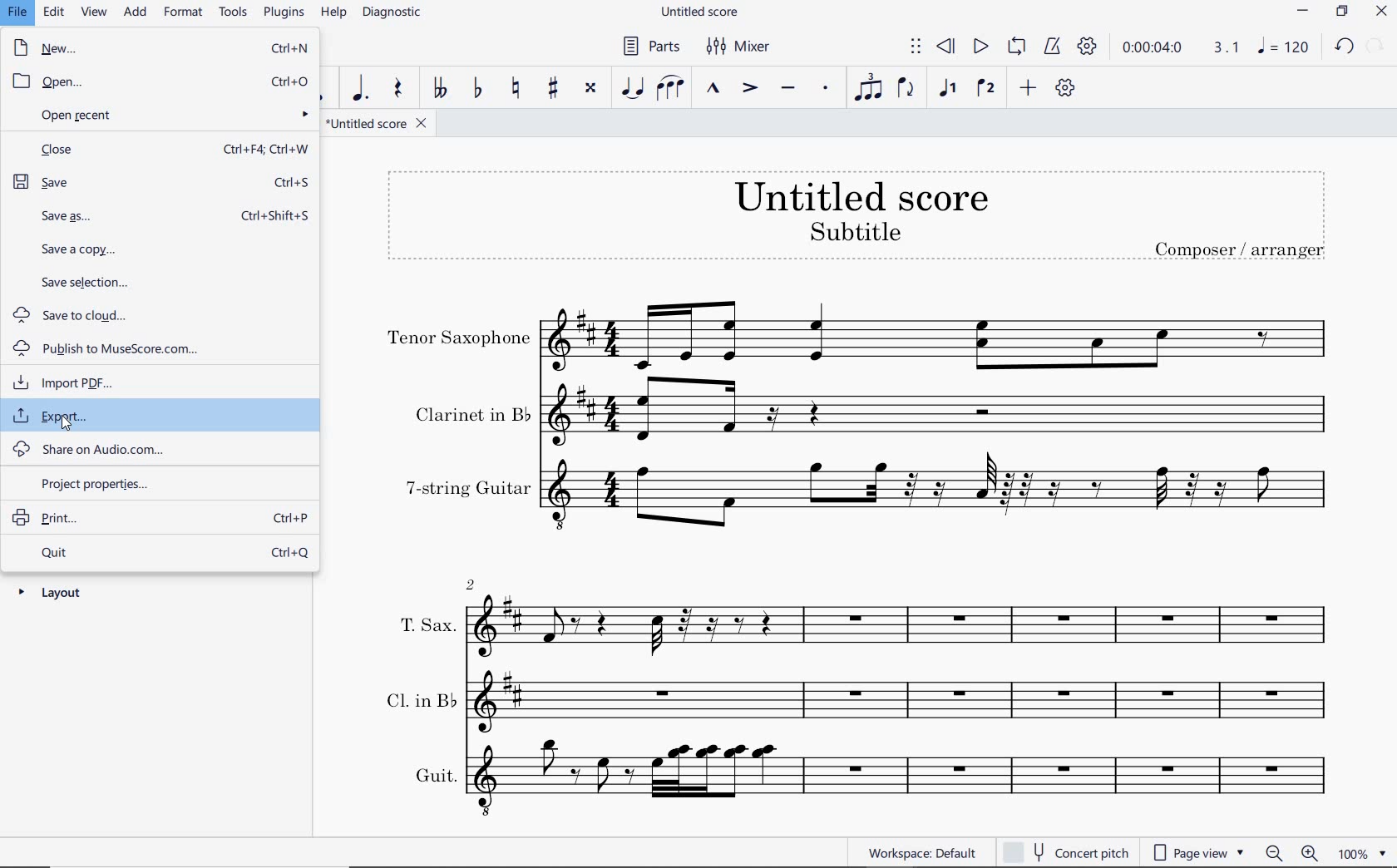 This screenshot has width=1397, height=868. What do you see at coordinates (55, 594) in the screenshot?
I see `layout` at bounding box center [55, 594].